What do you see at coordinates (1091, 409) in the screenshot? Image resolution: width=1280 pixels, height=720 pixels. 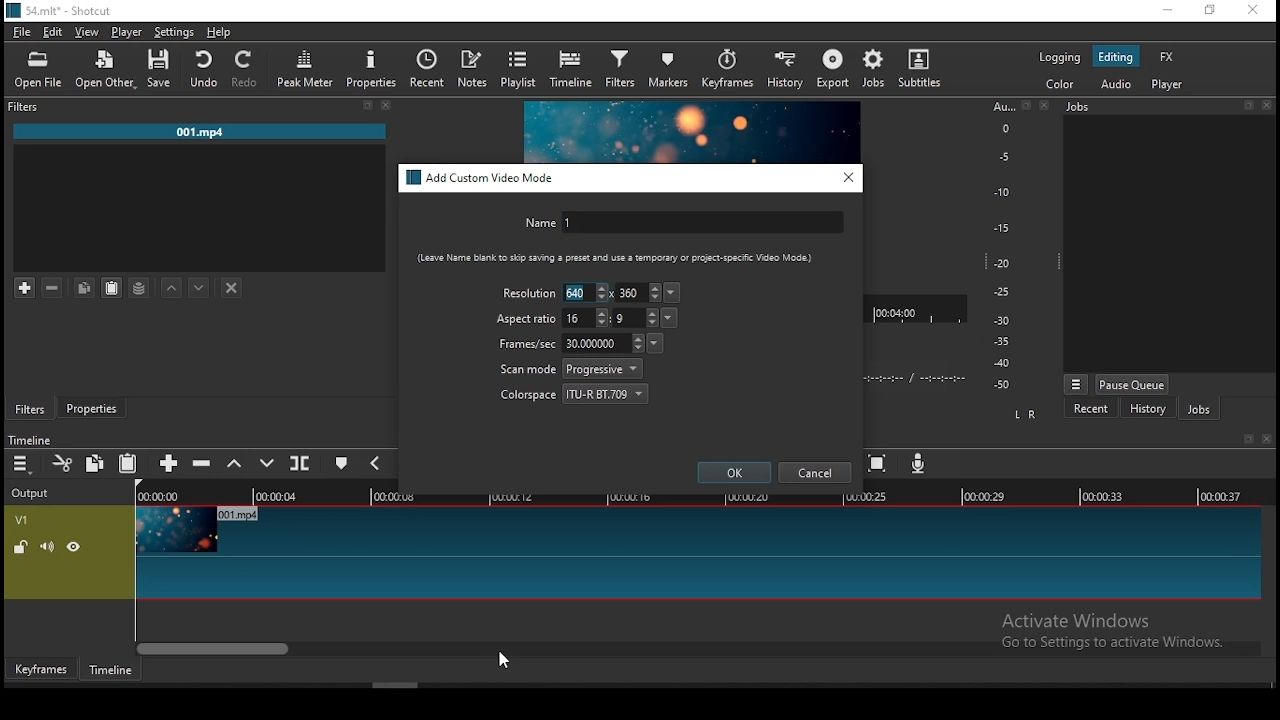 I see `recent` at bounding box center [1091, 409].